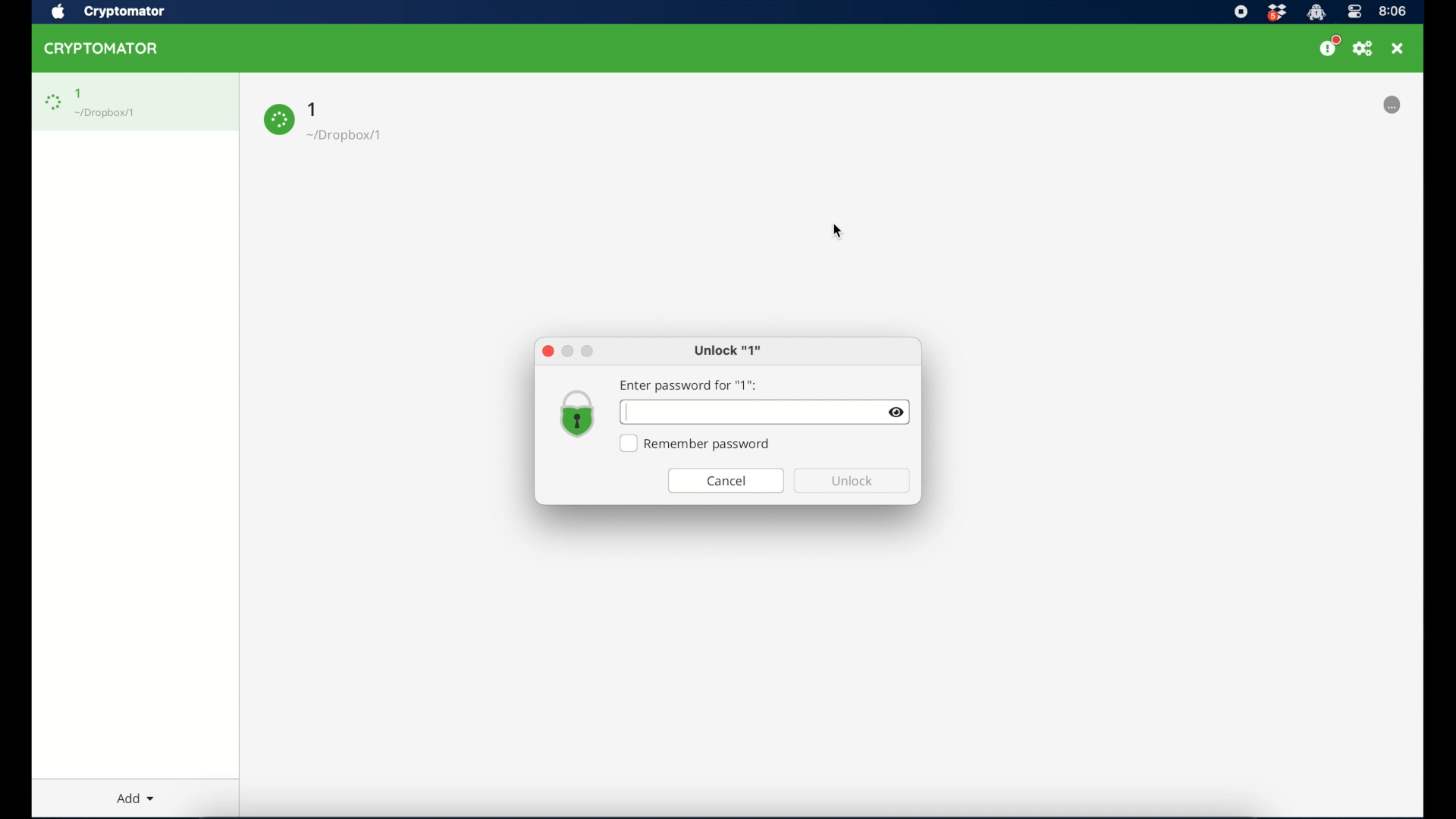  What do you see at coordinates (687, 385) in the screenshot?
I see `enter password` at bounding box center [687, 385].